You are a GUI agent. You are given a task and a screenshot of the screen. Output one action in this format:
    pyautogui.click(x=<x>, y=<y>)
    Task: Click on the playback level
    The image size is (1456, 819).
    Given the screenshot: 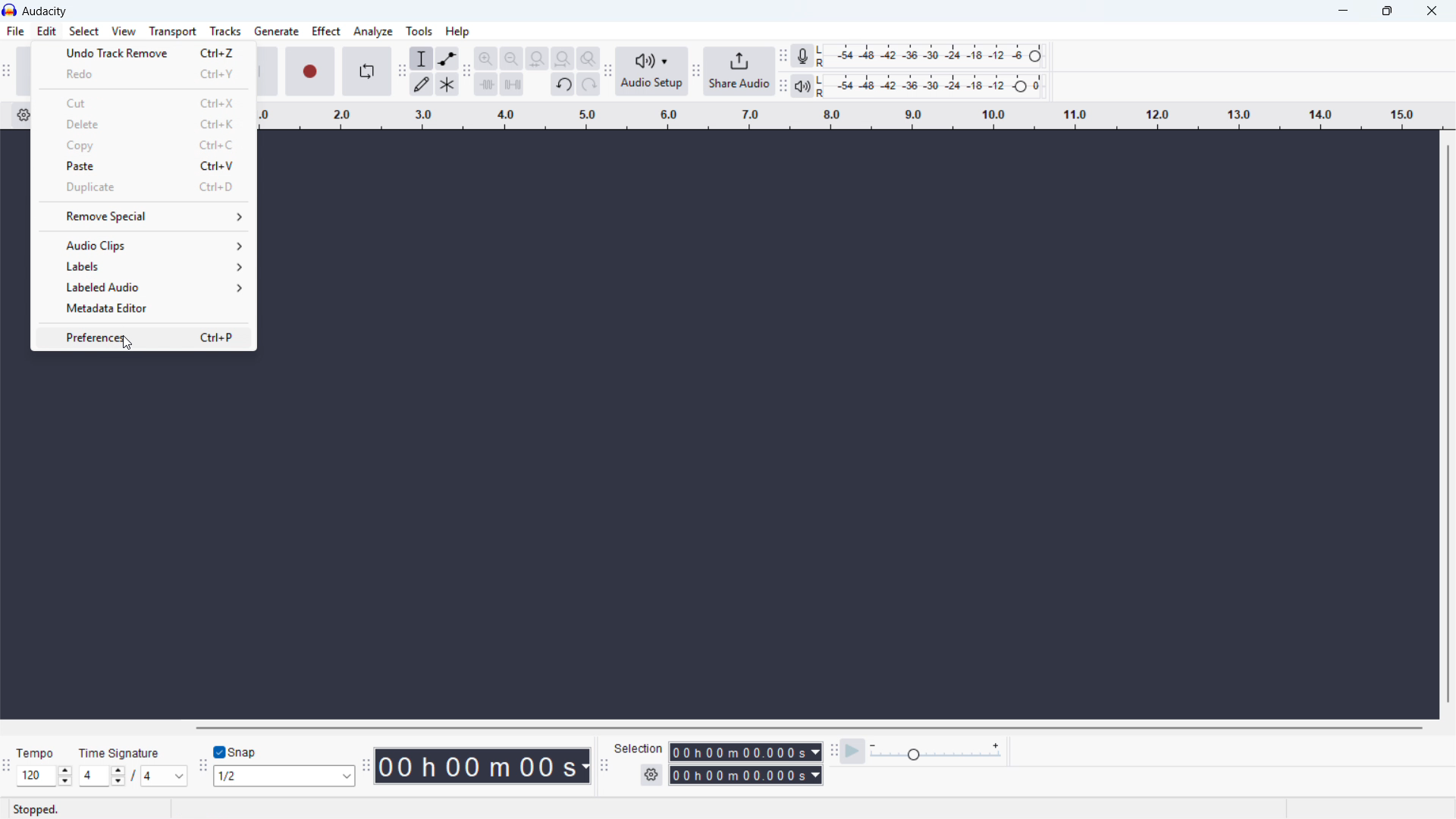 What is the action you would take?
    pyautogui.click(x=935, y=85)
    